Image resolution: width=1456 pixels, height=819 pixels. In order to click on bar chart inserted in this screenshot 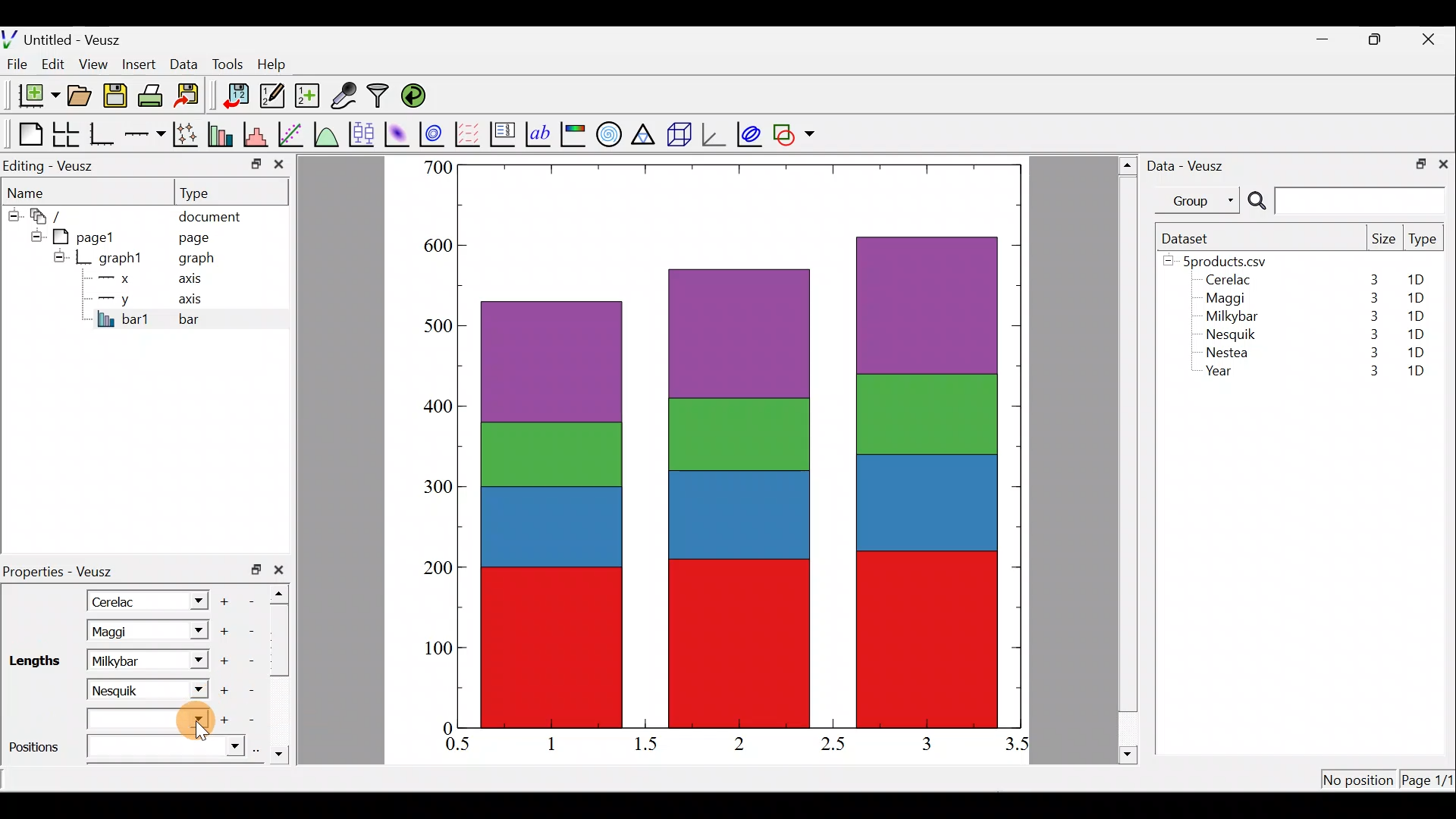, I will do `click(741, 444)`.